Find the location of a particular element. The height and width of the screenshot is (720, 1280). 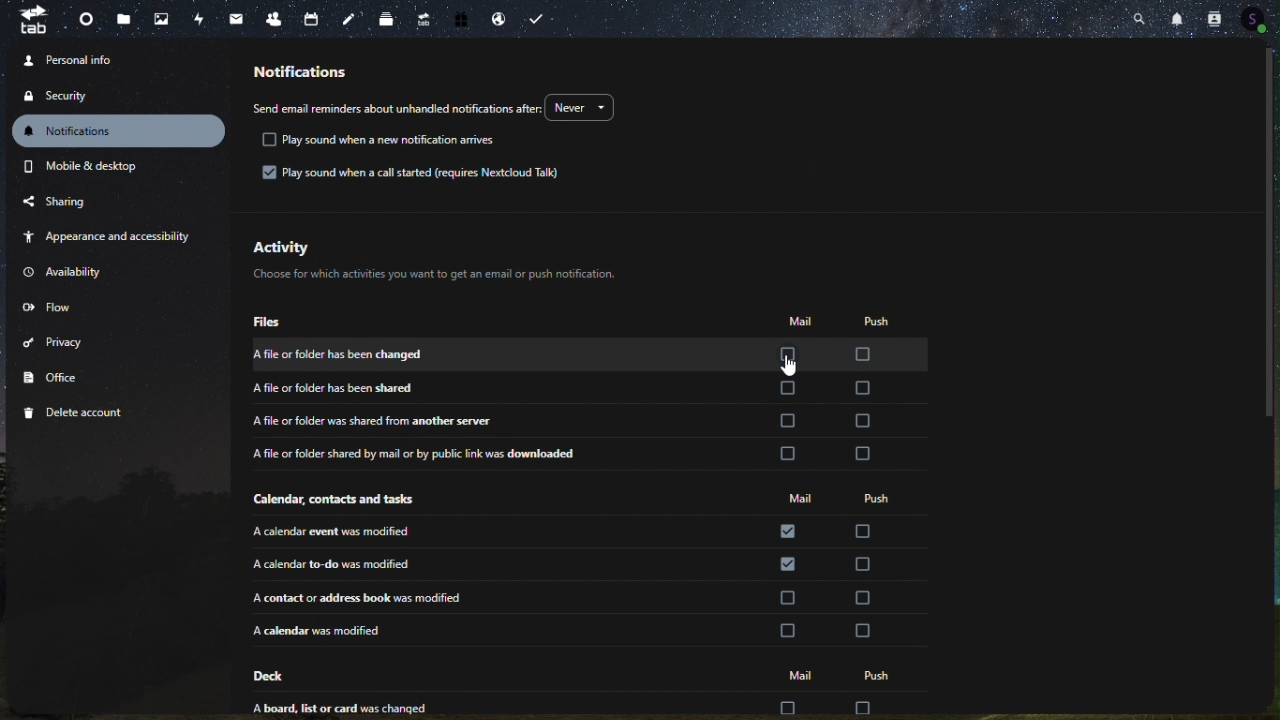

email hosting is located at coordinates (496, 18).